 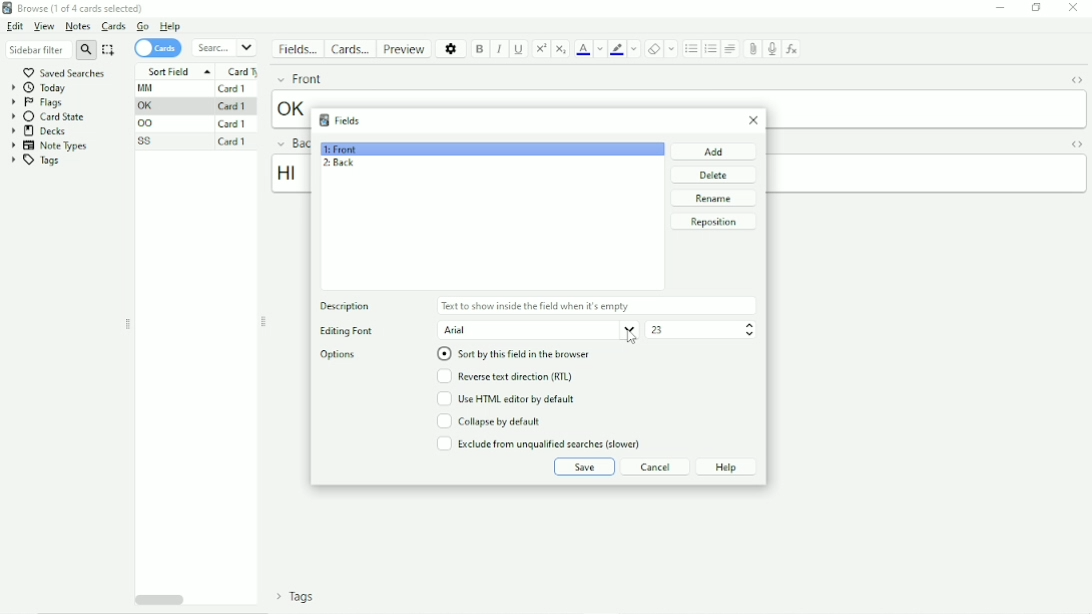 I want to click on Resize, so click(x=128, y=325).